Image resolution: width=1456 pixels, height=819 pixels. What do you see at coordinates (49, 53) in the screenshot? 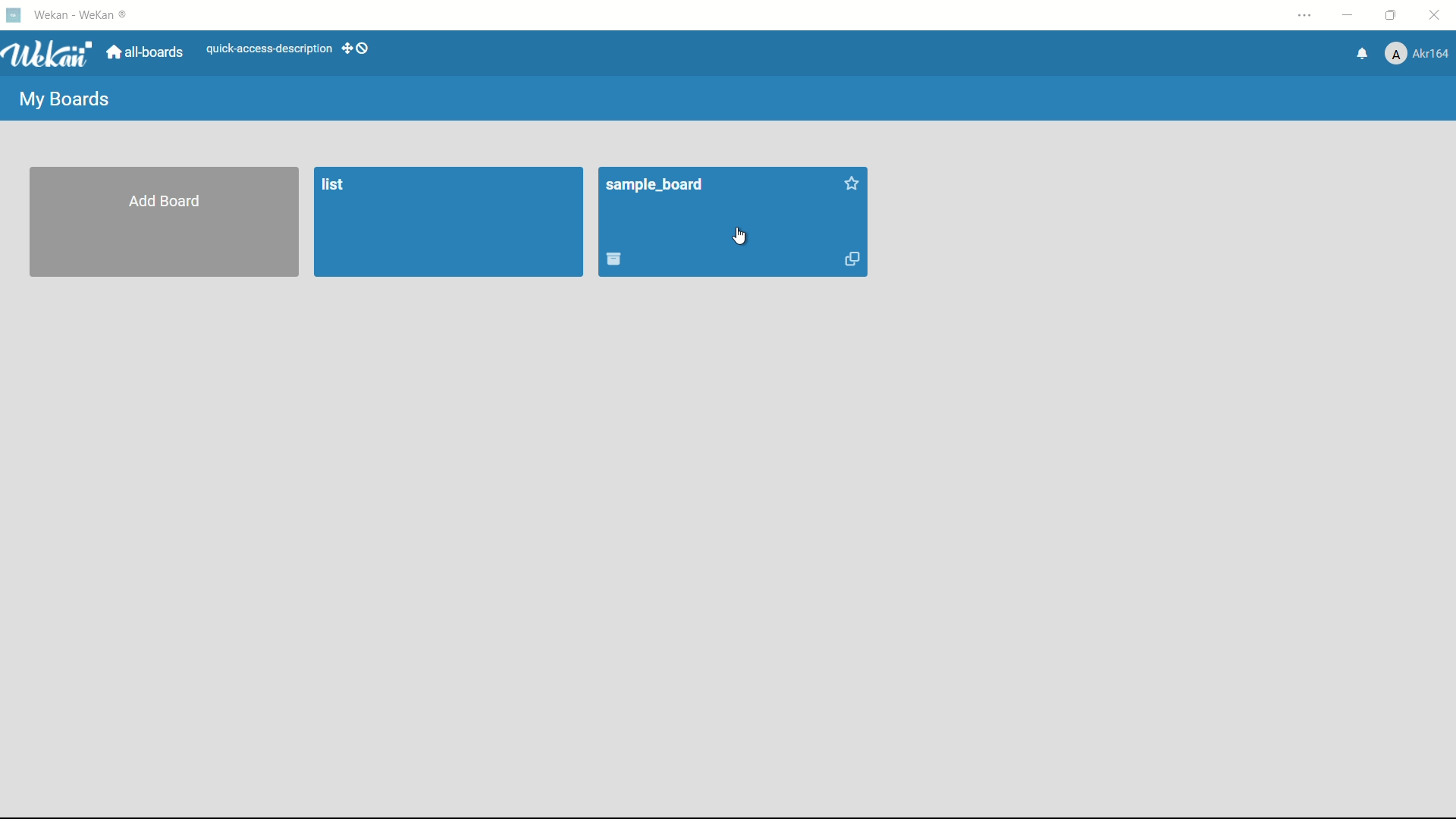
I see `app logo` at bounding box center [49, 53].